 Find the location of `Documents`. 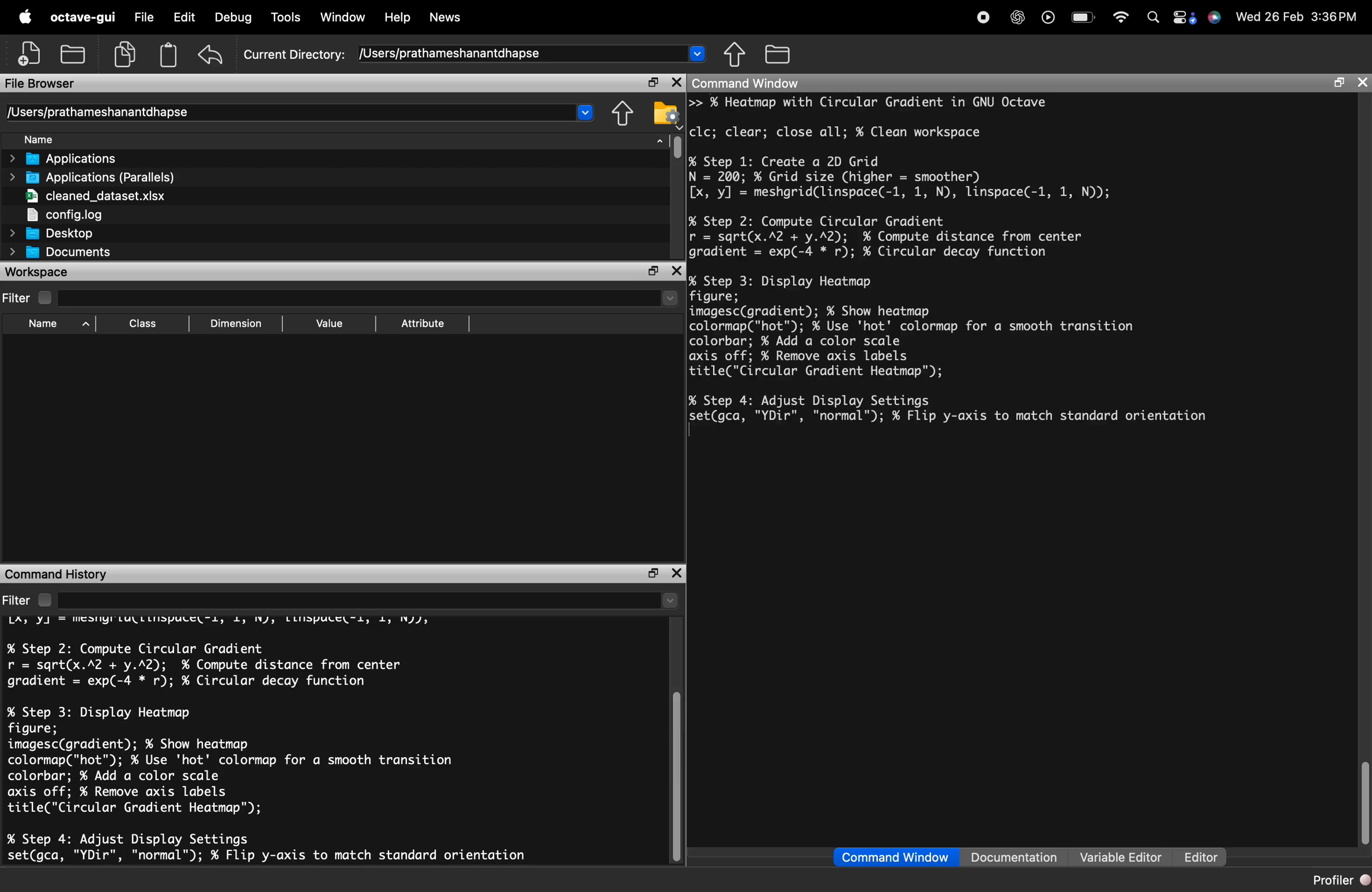

Documents is located at coordinates (58, 252).